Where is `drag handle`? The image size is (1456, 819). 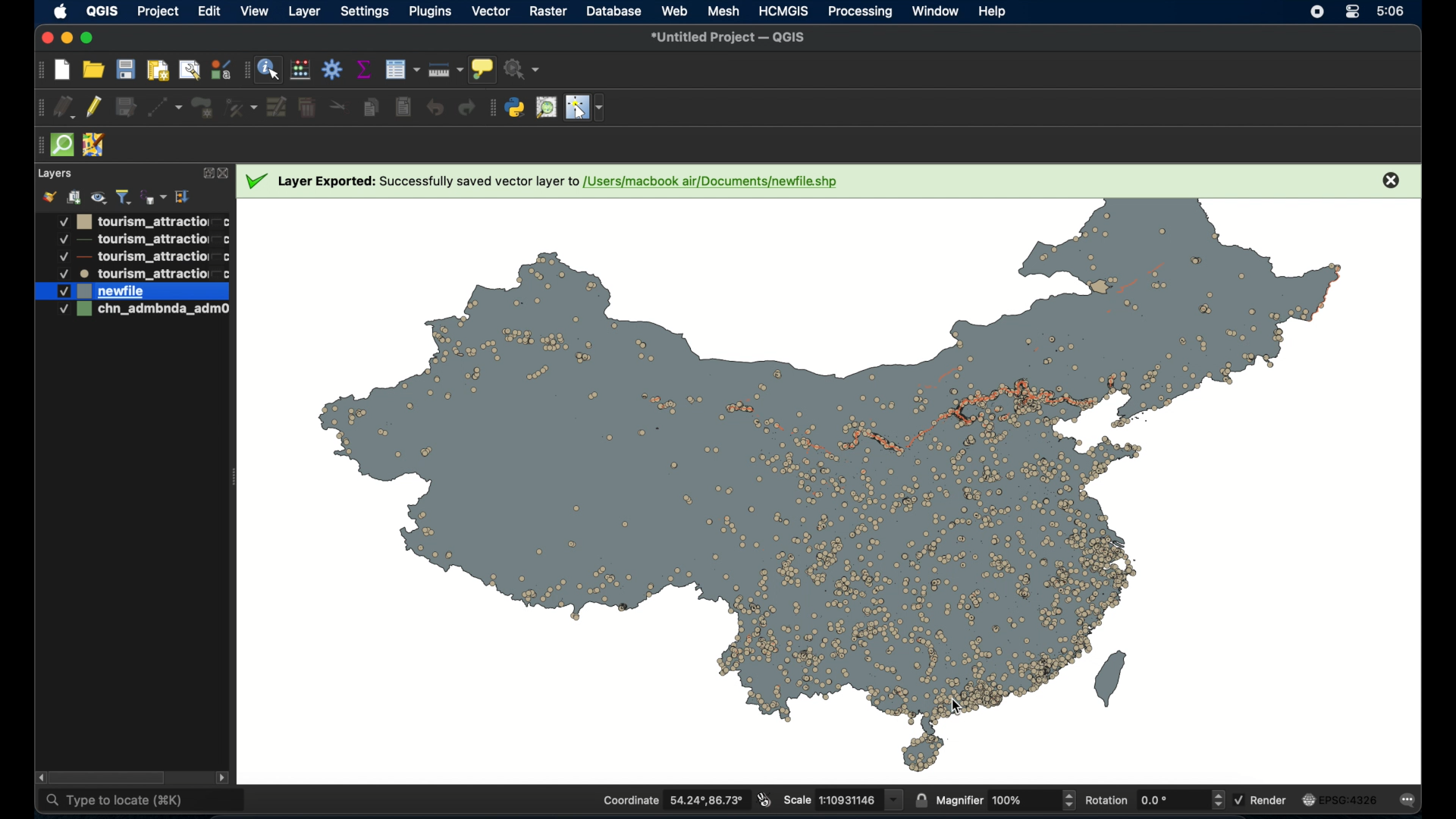 drag handle is located at coordinates (39, 70).